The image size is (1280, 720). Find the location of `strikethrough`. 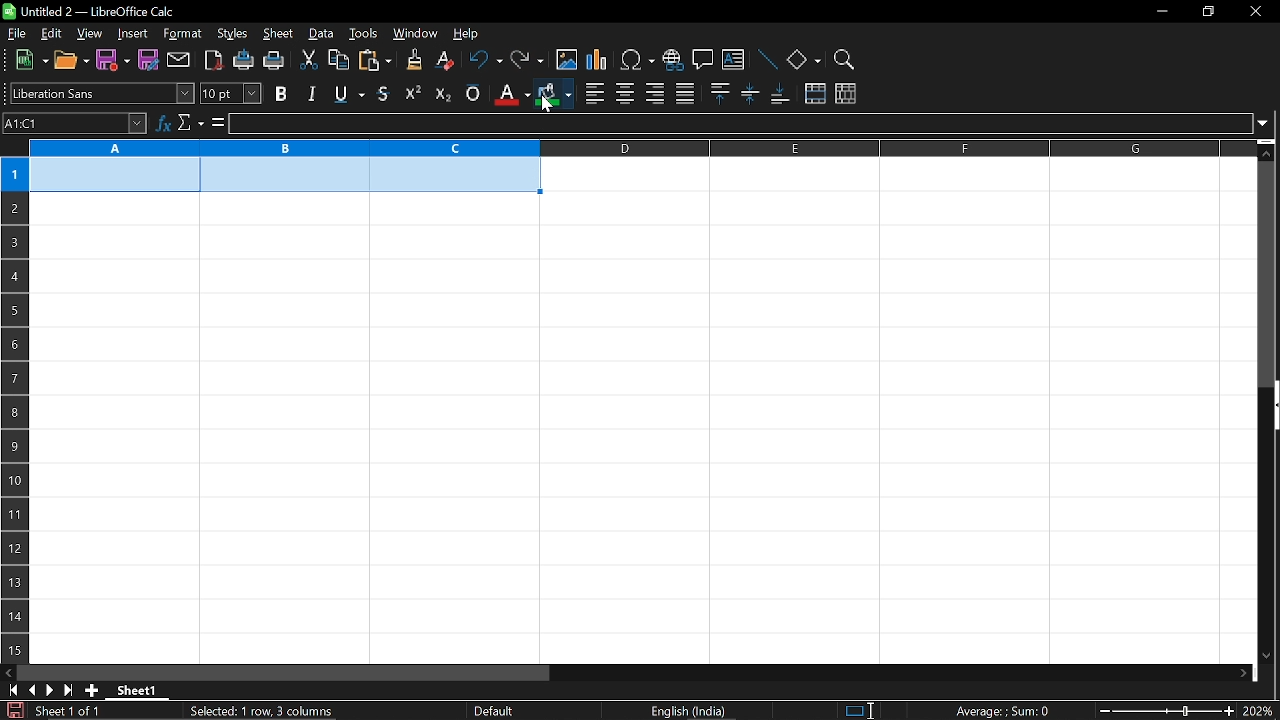

strikethrough is located at coordinates (384, 92).